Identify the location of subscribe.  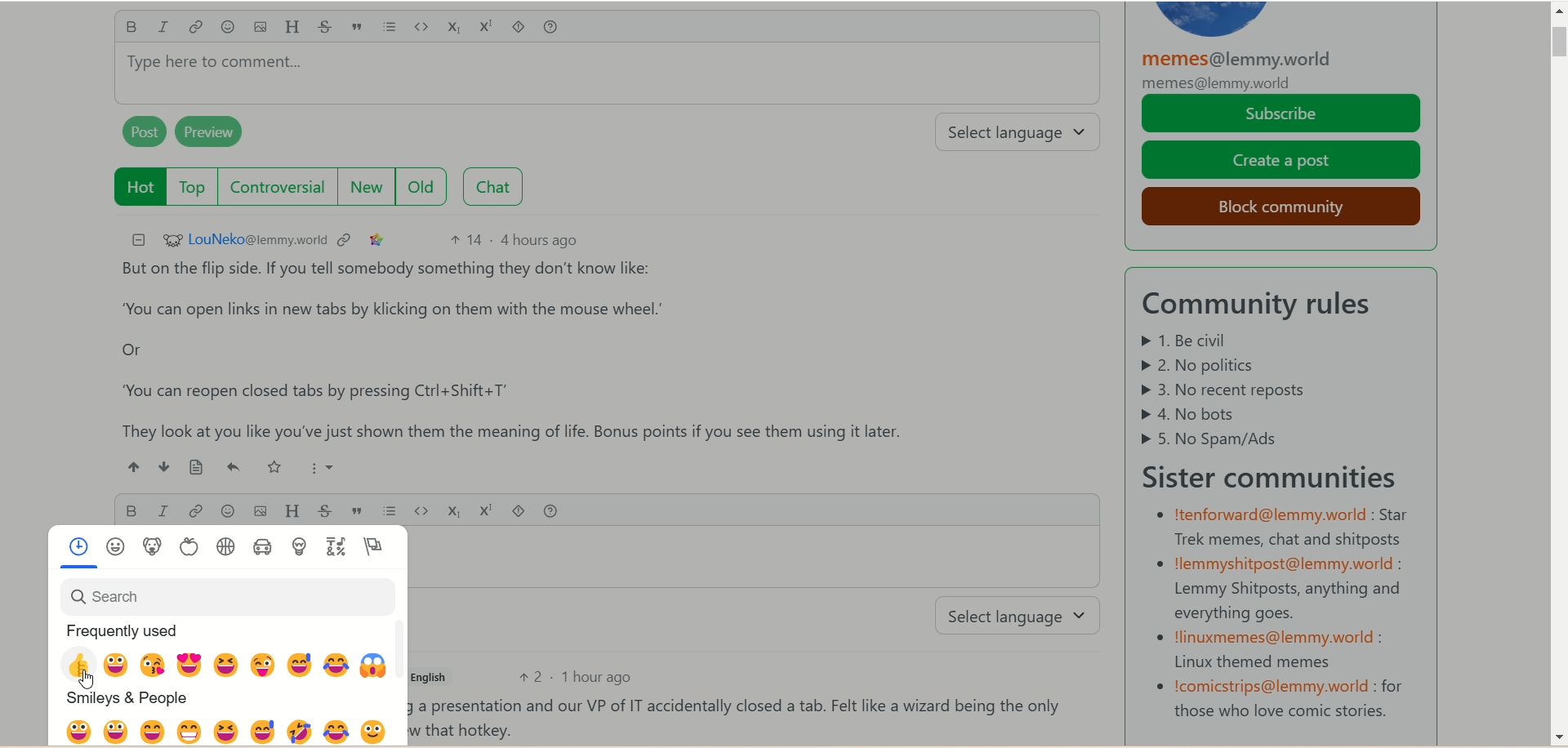
(1282, 114).